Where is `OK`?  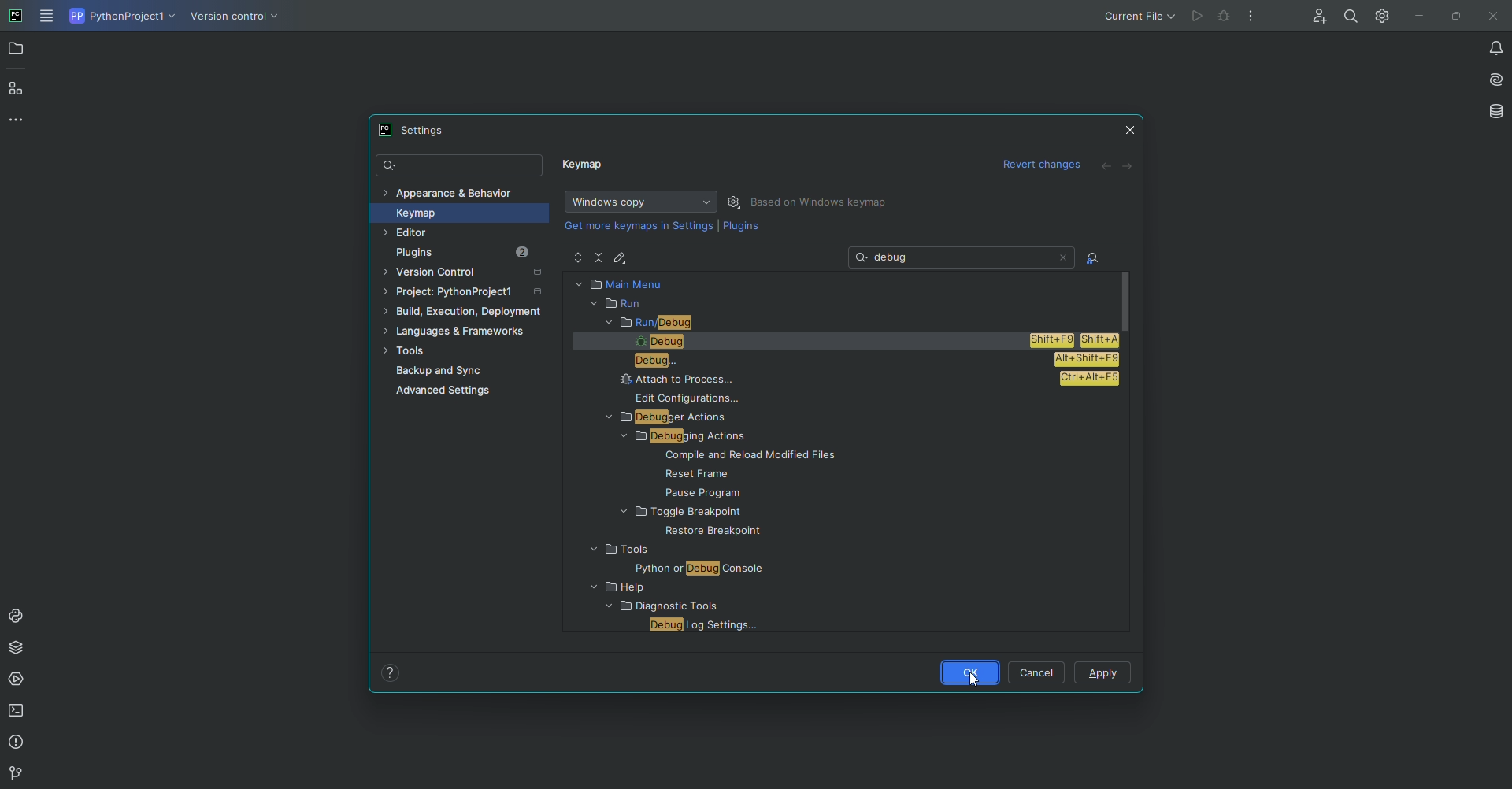
OK is located at coordinates (968, 672).